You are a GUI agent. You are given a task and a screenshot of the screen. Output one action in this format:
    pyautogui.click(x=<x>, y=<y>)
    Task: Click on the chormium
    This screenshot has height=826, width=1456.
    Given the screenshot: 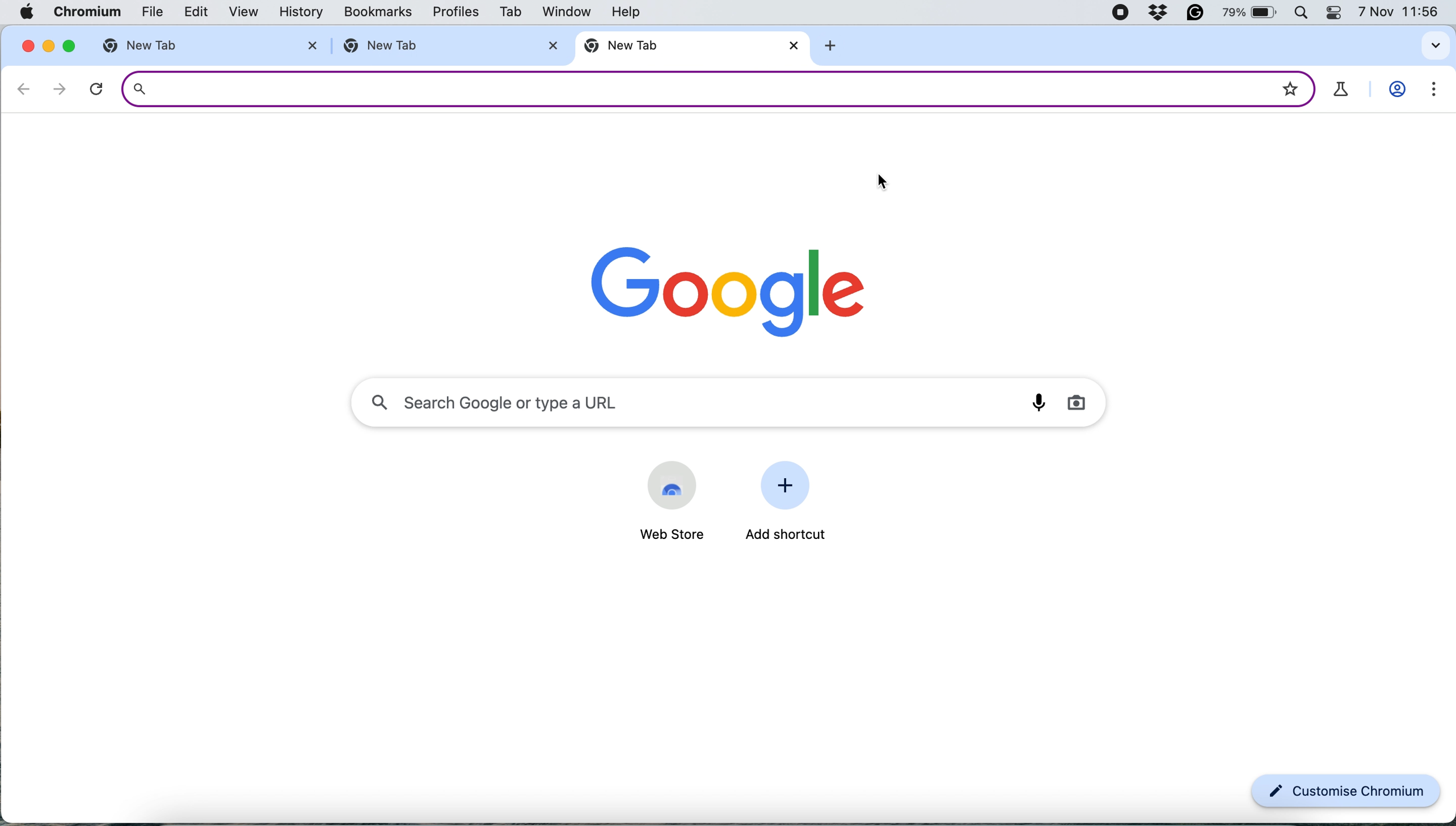 What is the action you would take?
    pyautogui.click(x=87, y=12)
    